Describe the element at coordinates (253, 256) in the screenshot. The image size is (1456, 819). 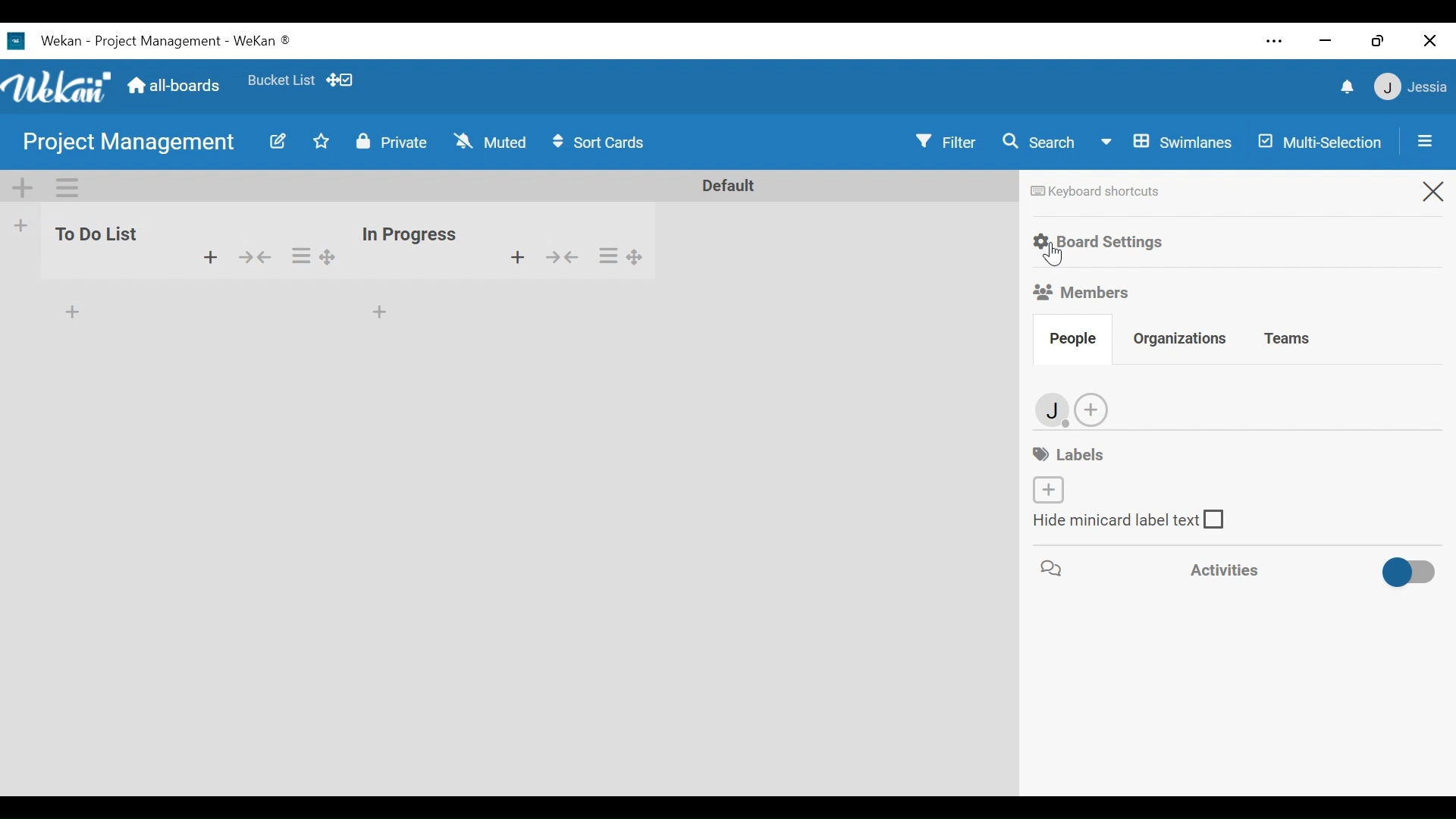
I see `hide/show` at that location.